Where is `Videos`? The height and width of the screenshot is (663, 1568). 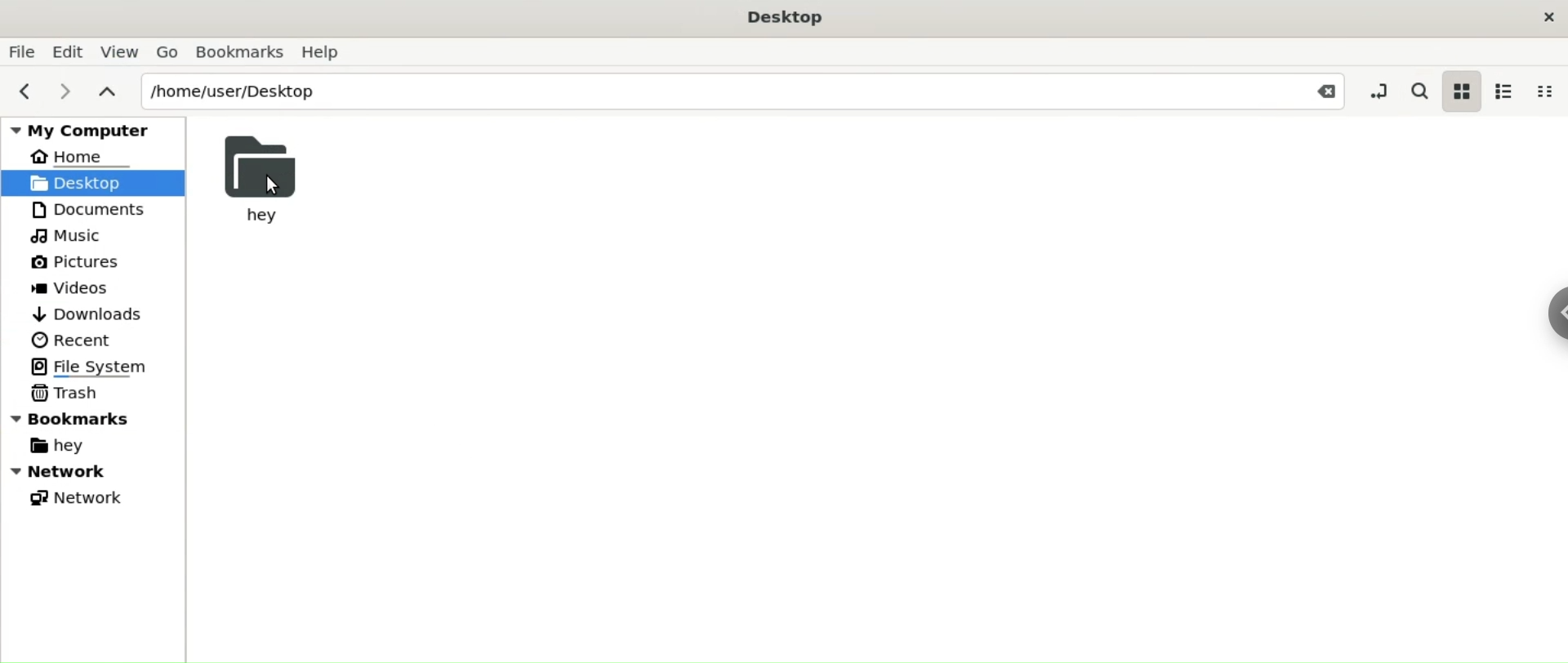
Videos is located at coordinates (71, 289).